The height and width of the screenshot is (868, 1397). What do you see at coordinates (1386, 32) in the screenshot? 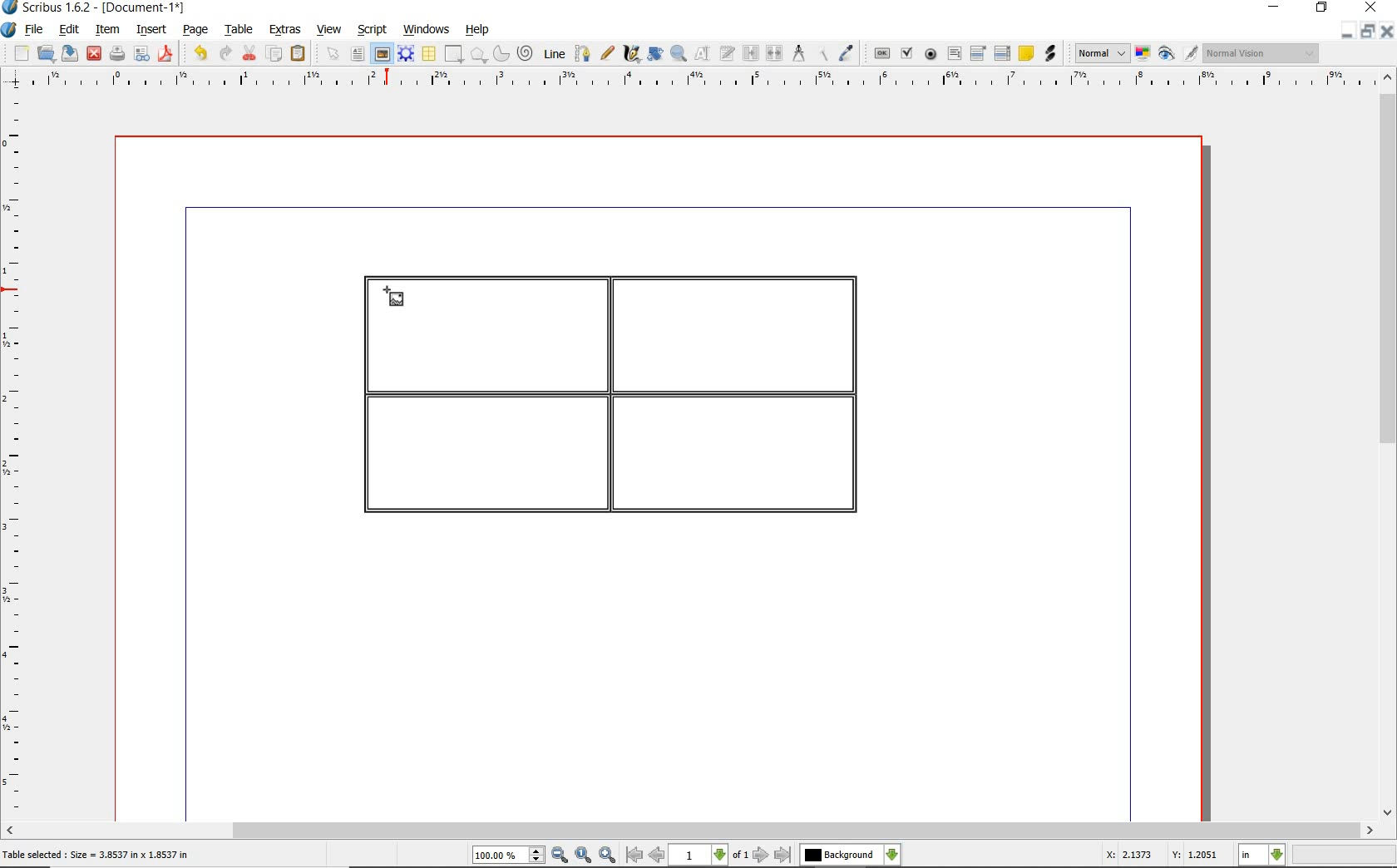
I see `close` at bounding box center [1386, 32].